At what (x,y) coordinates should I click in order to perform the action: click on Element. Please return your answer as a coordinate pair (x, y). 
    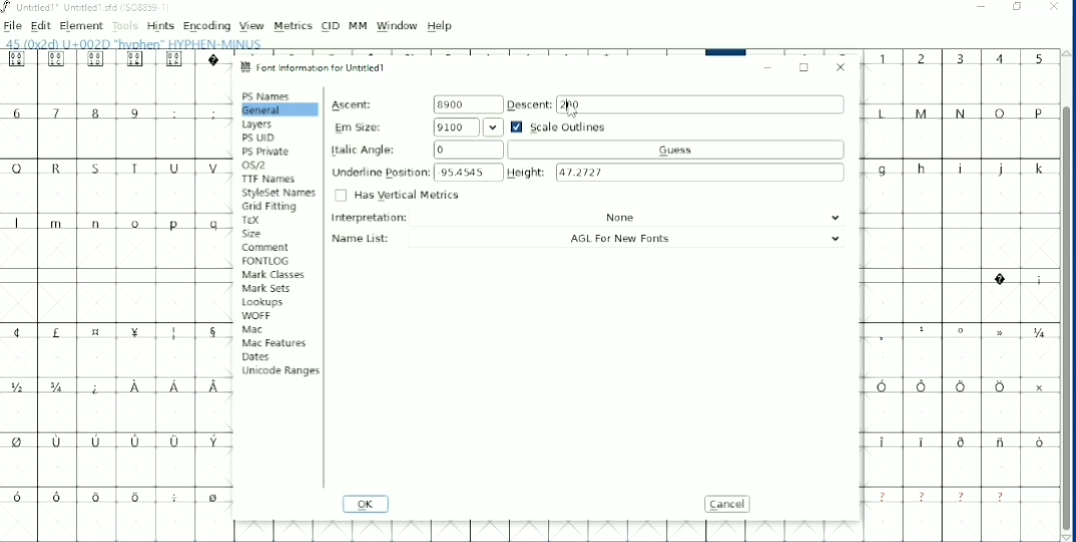
    Looking at the image, I should click on (81, 26).